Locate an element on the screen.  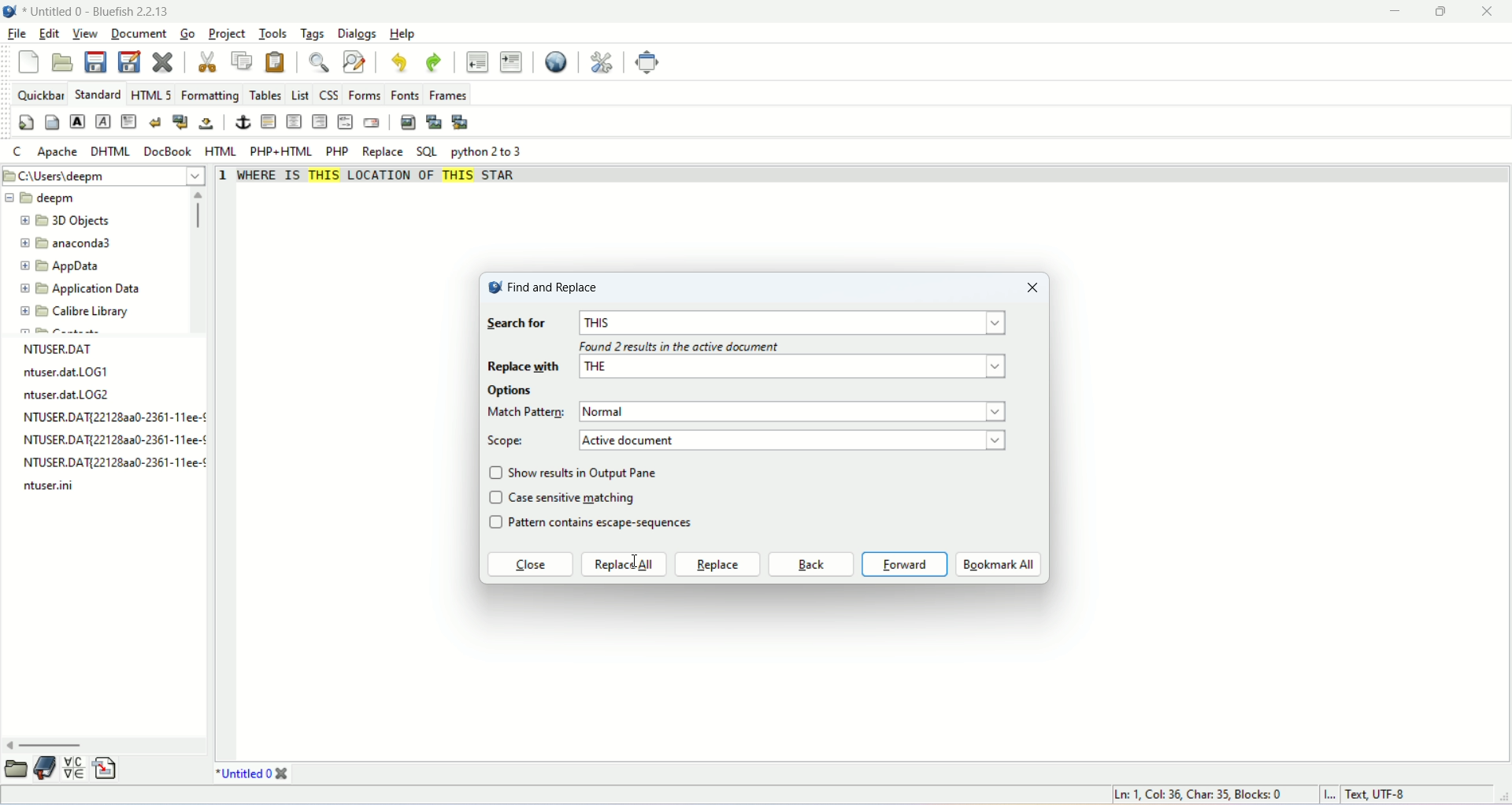
tables is located at coordinates (265, 96).